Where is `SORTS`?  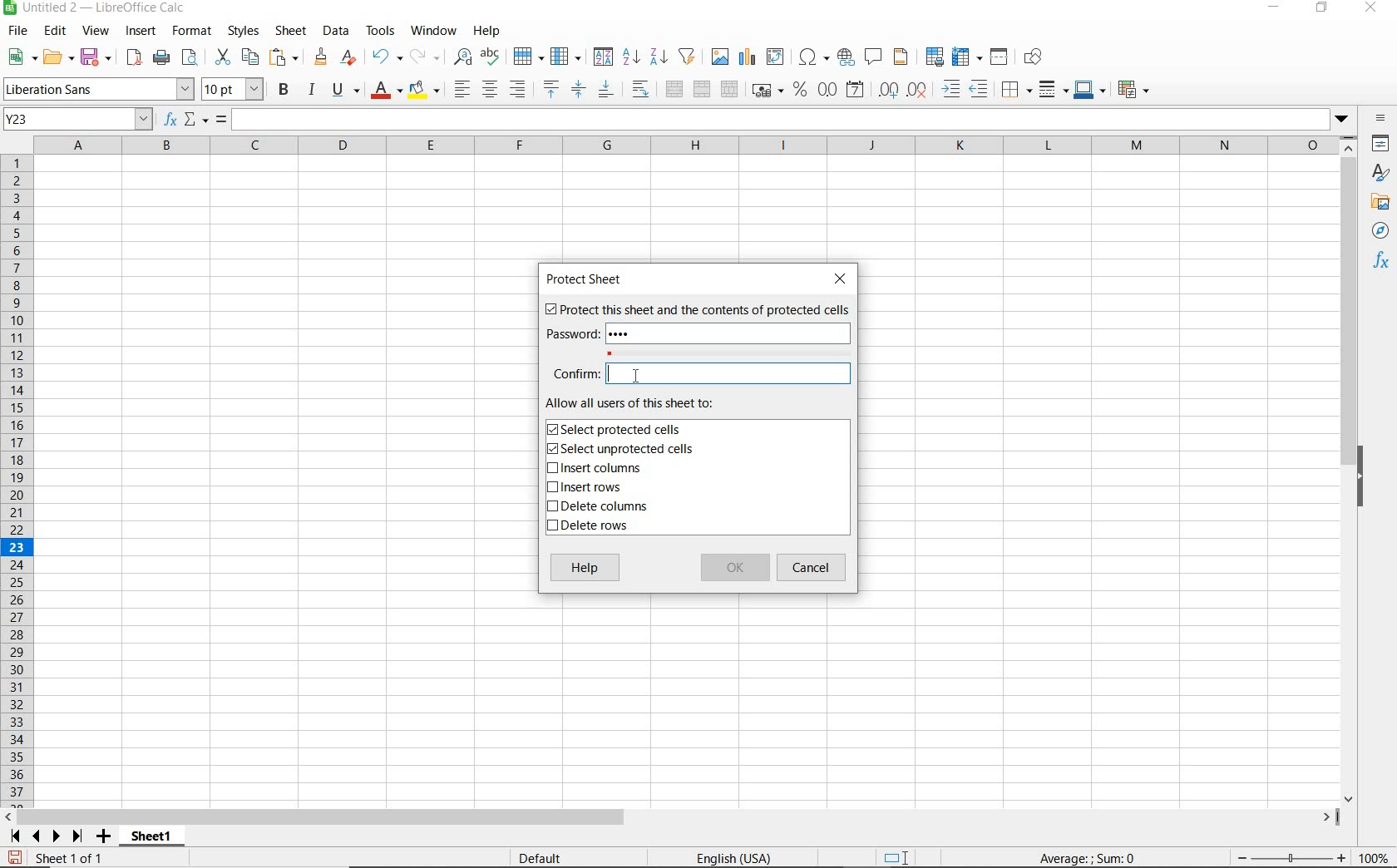 SORTS is located at coordinates (604, 57).